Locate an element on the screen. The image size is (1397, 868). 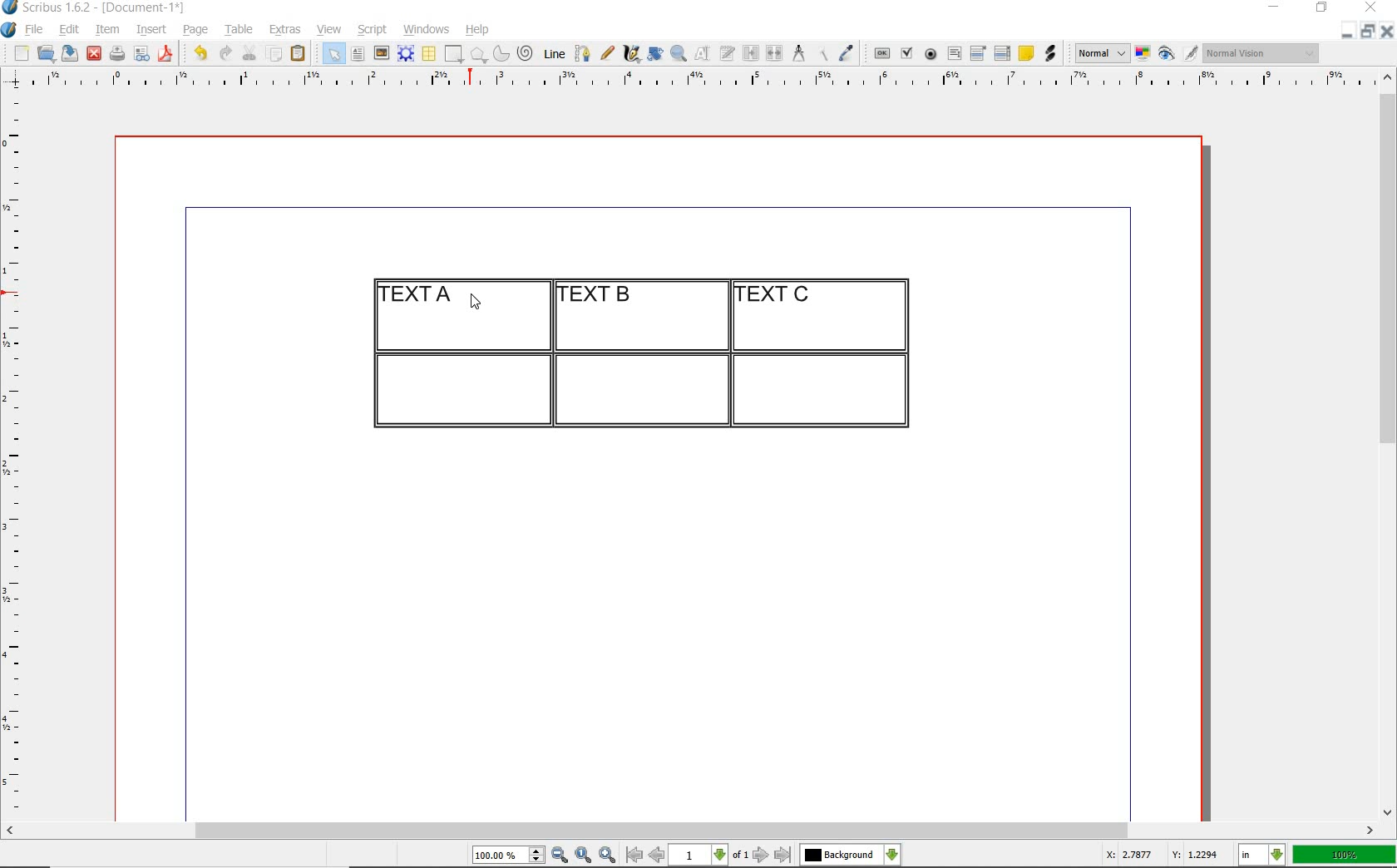
view is located at coordinates (329, 29).